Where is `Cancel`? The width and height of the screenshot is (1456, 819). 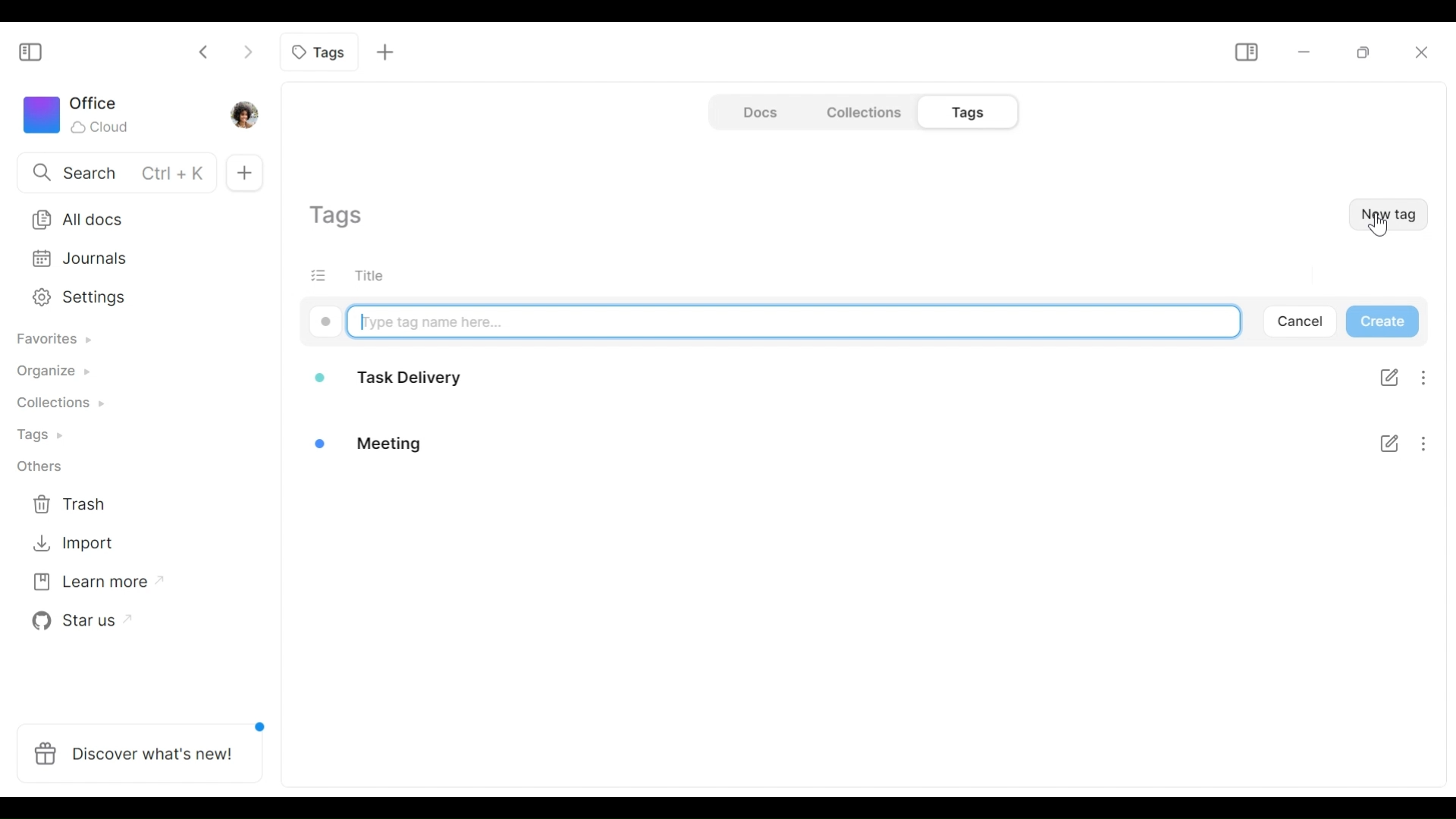
Cancel is located at coordinates (1304, 323).